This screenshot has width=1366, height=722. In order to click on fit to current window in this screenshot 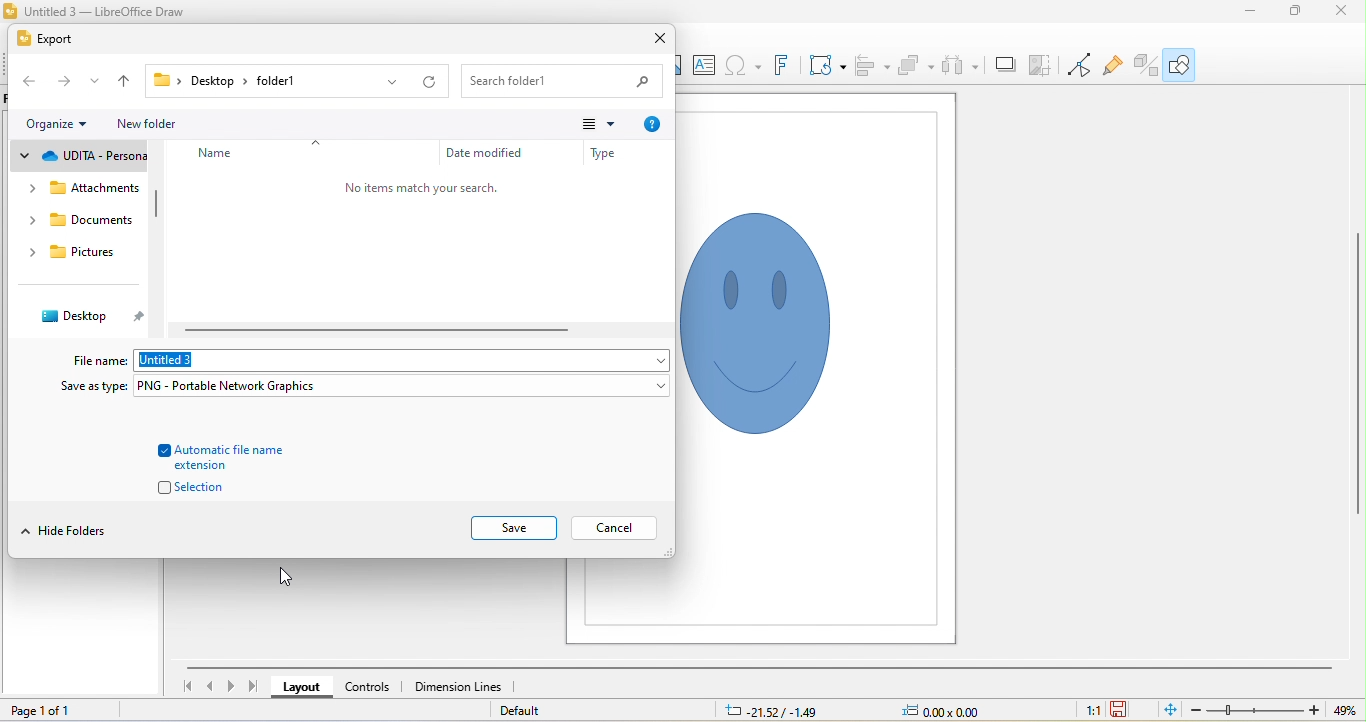, I will do `click(1169, 711)`.